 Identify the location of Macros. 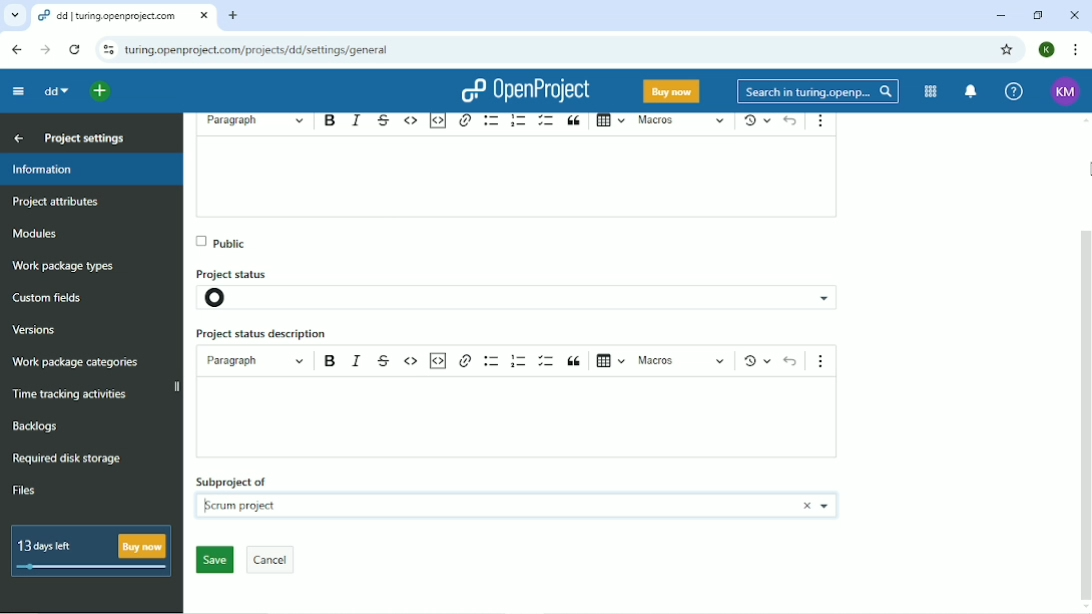
(680, 120).